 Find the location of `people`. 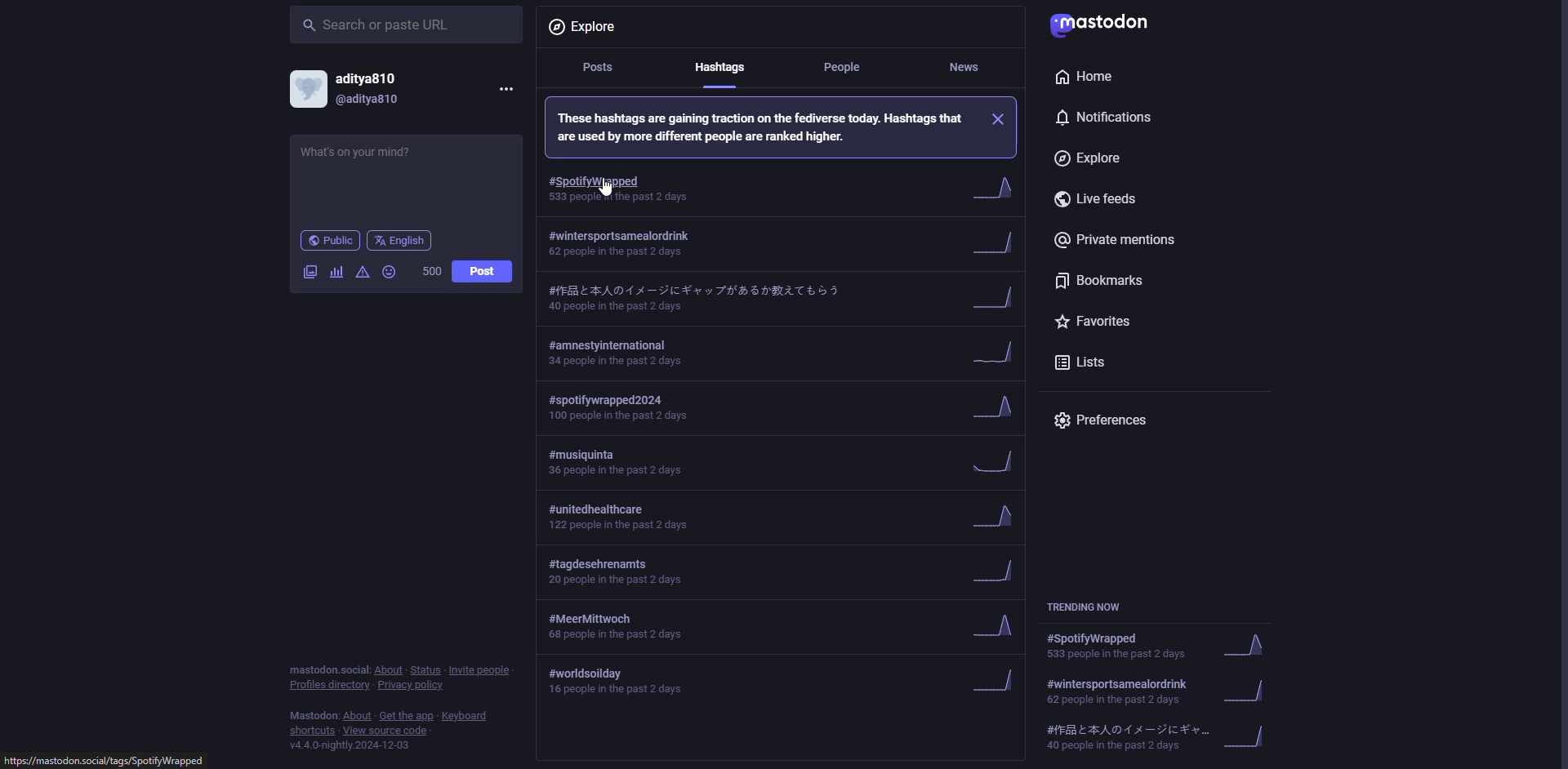

people is located at coordinates (844, 68).